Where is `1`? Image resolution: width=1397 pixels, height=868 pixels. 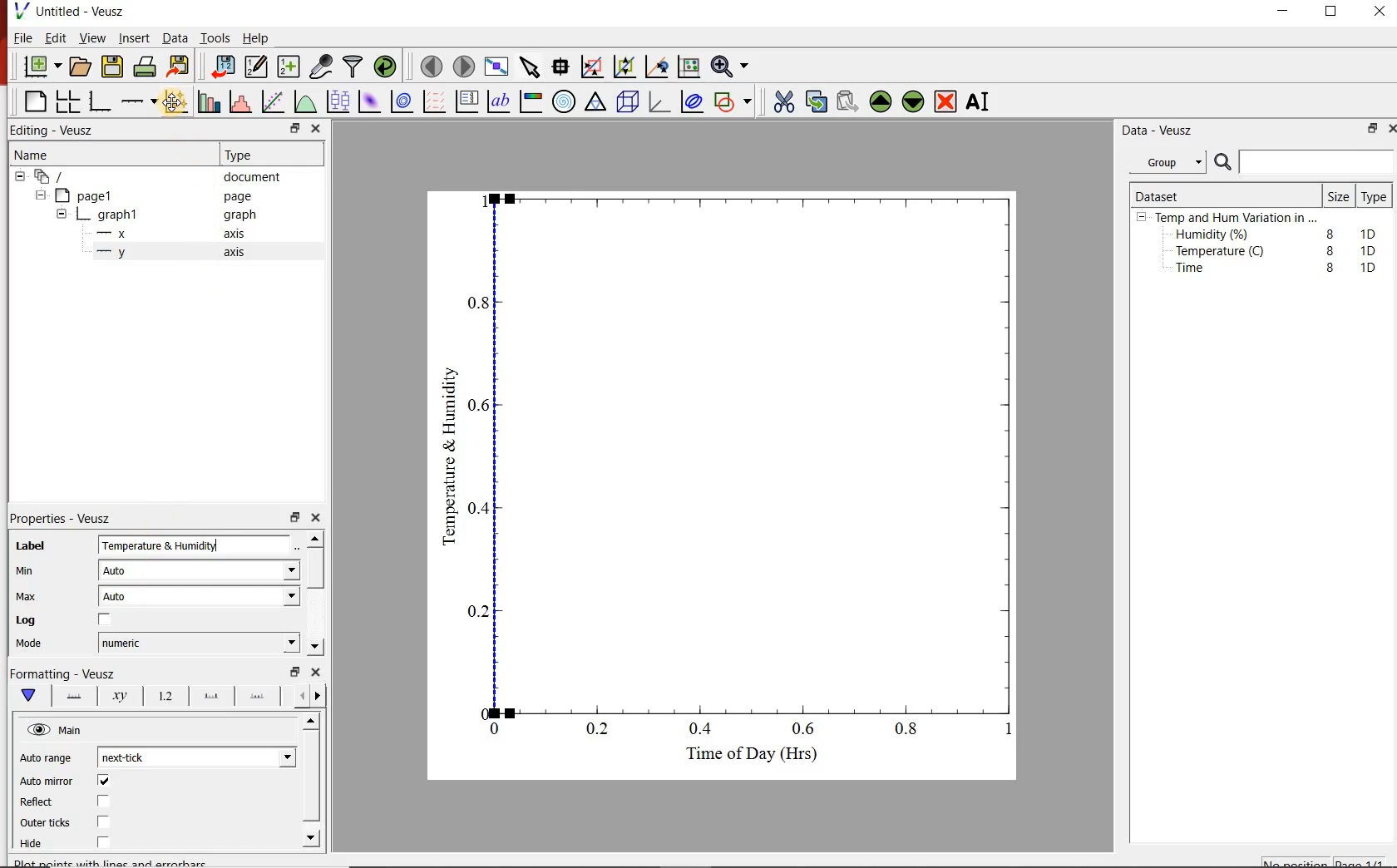
1 is located at coordinates (1003, 732).